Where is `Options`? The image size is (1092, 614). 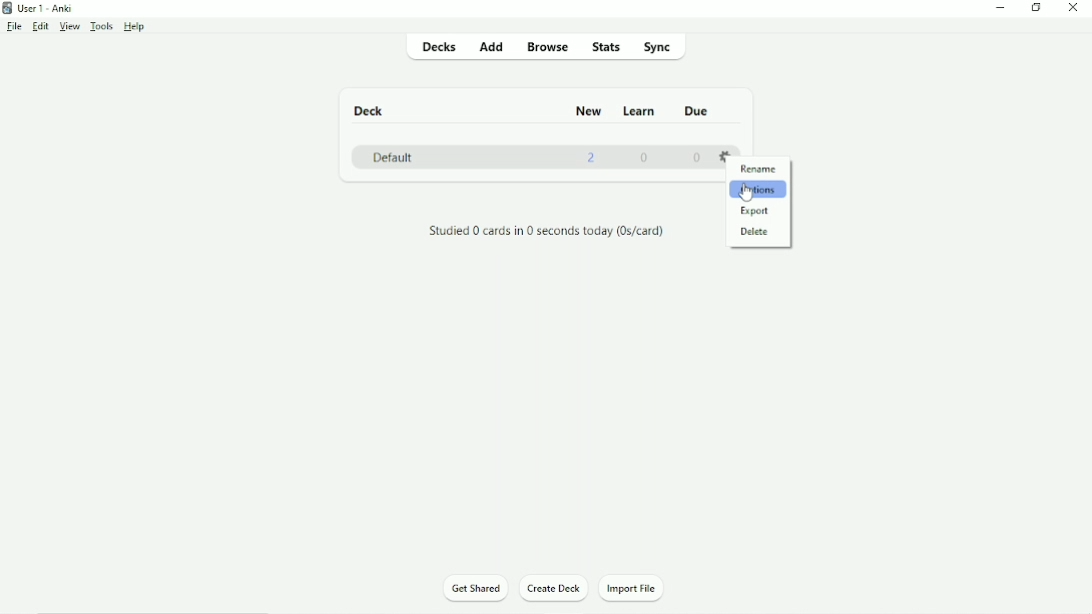
Options is located at coordinates (758, 191).